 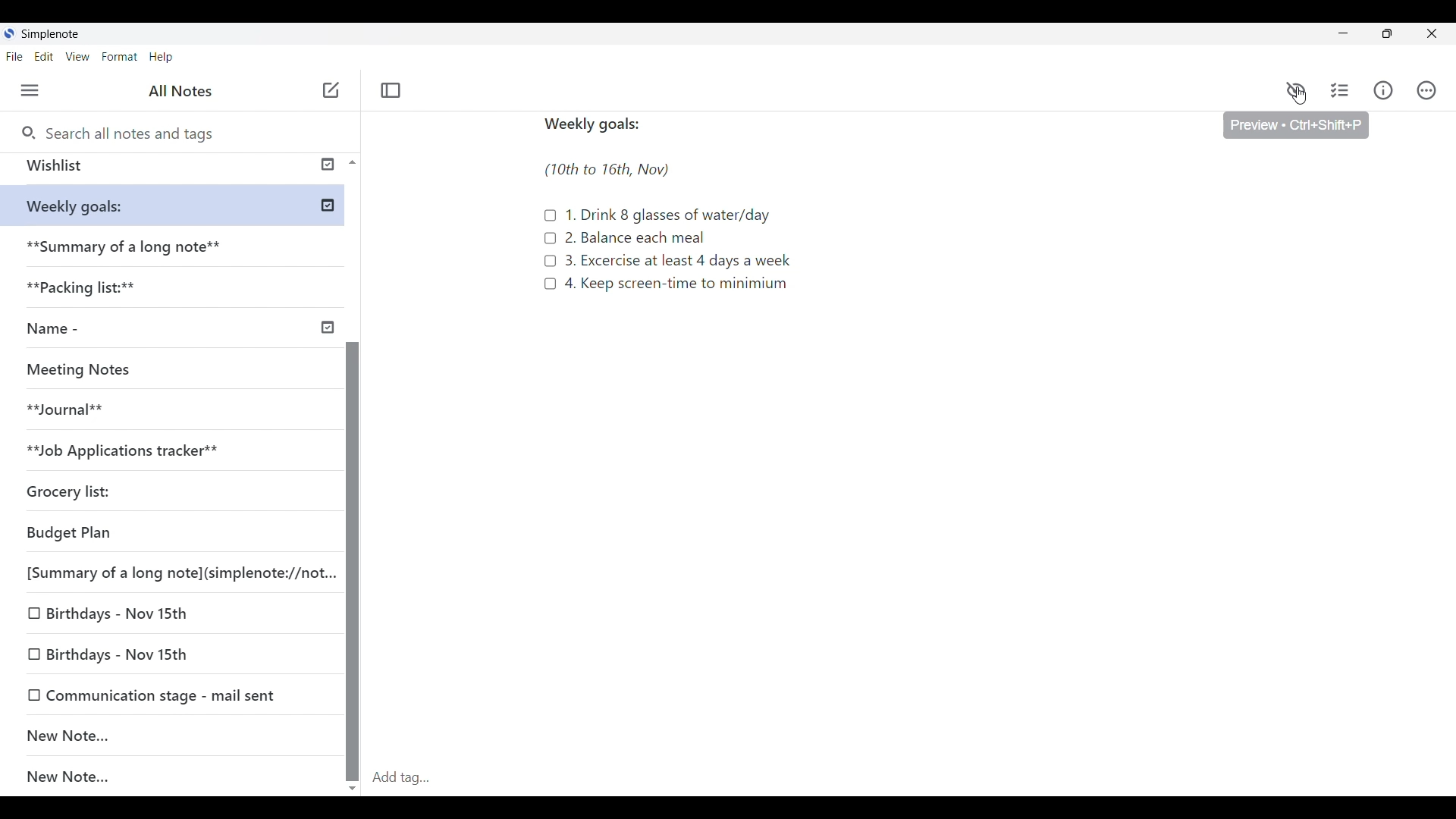 I want to click on New note, so click(x=164, y=735).